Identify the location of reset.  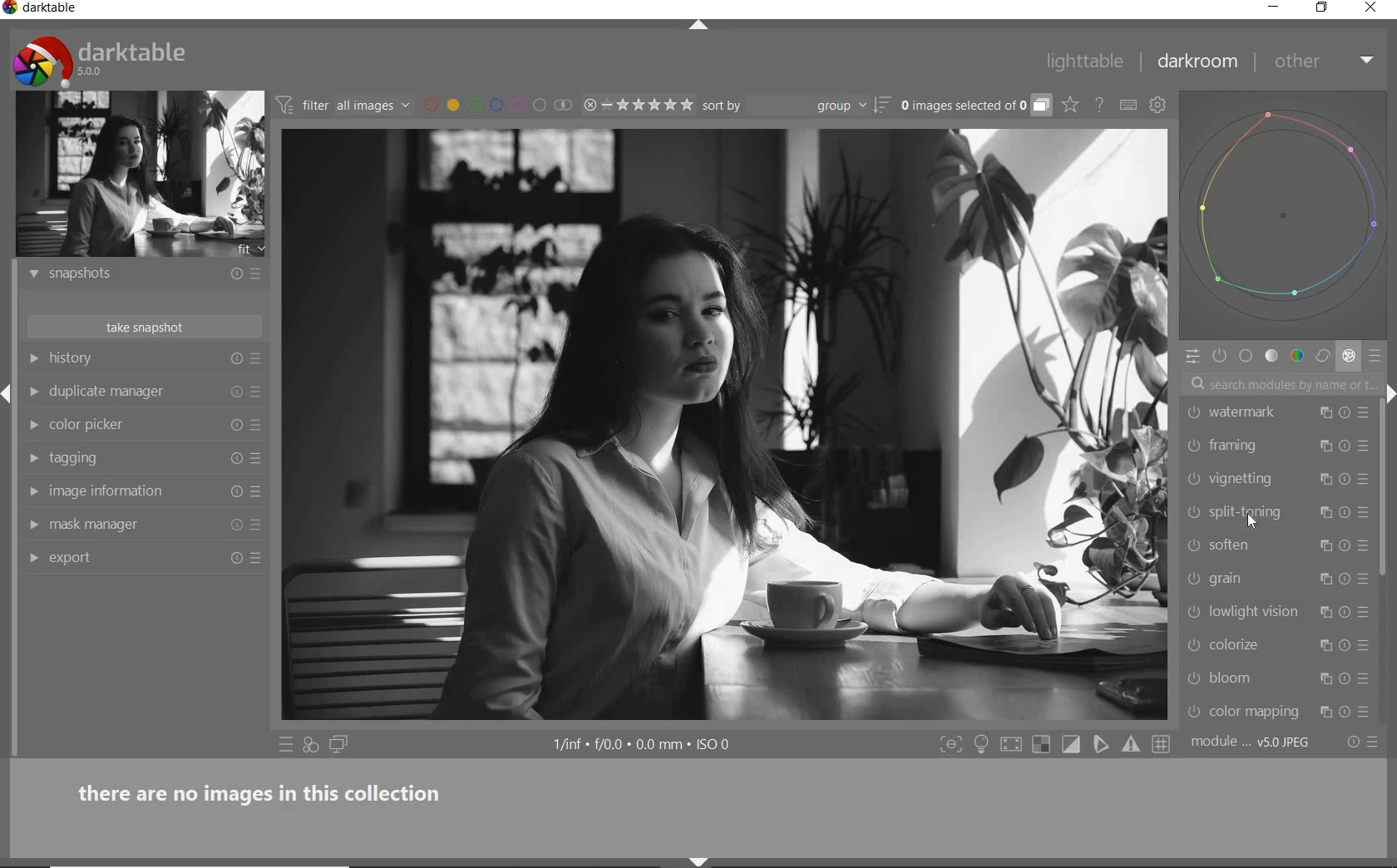
(236, 360).